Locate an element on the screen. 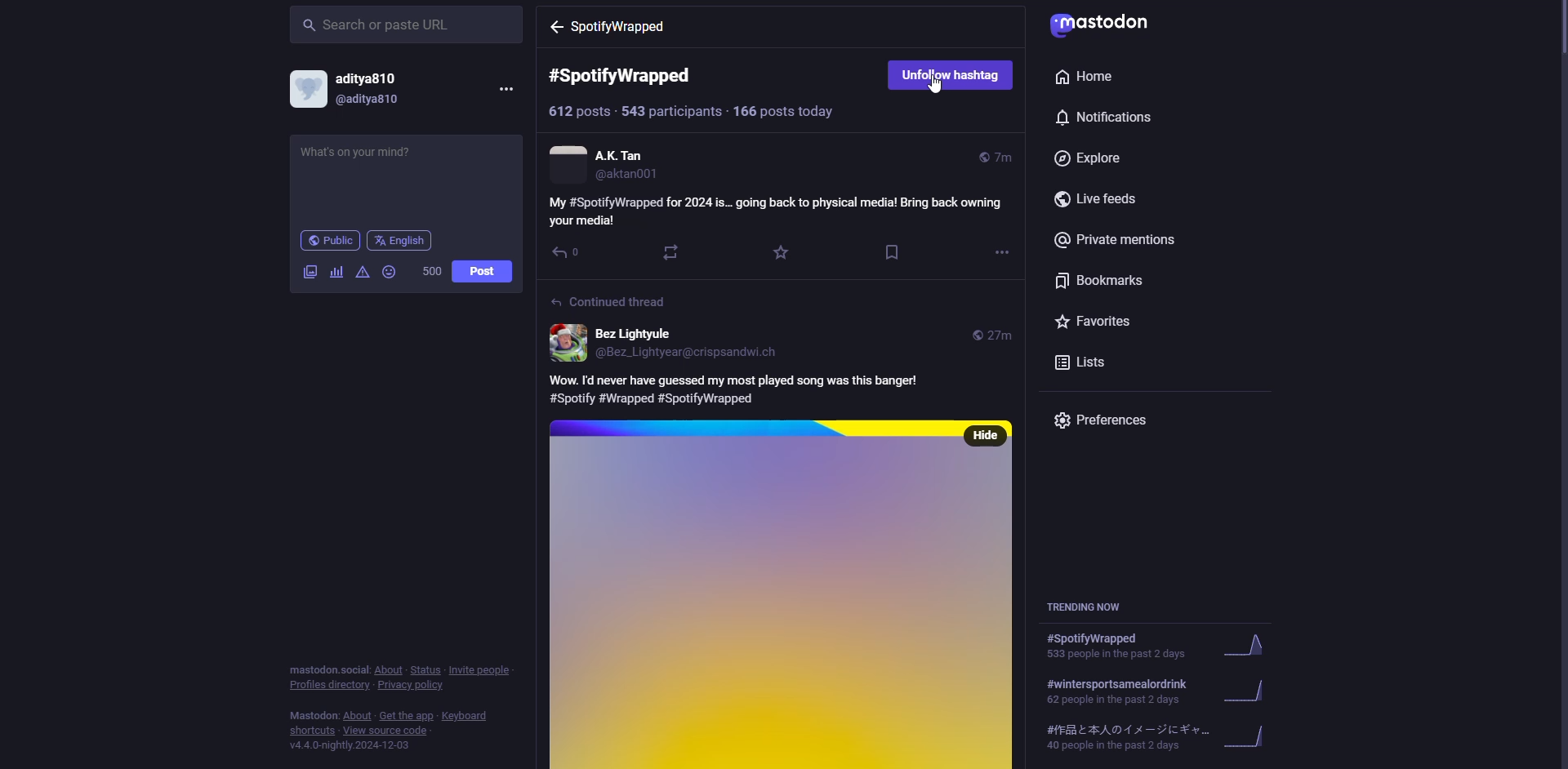  bookmarks is located at coordinates (1102, 279).